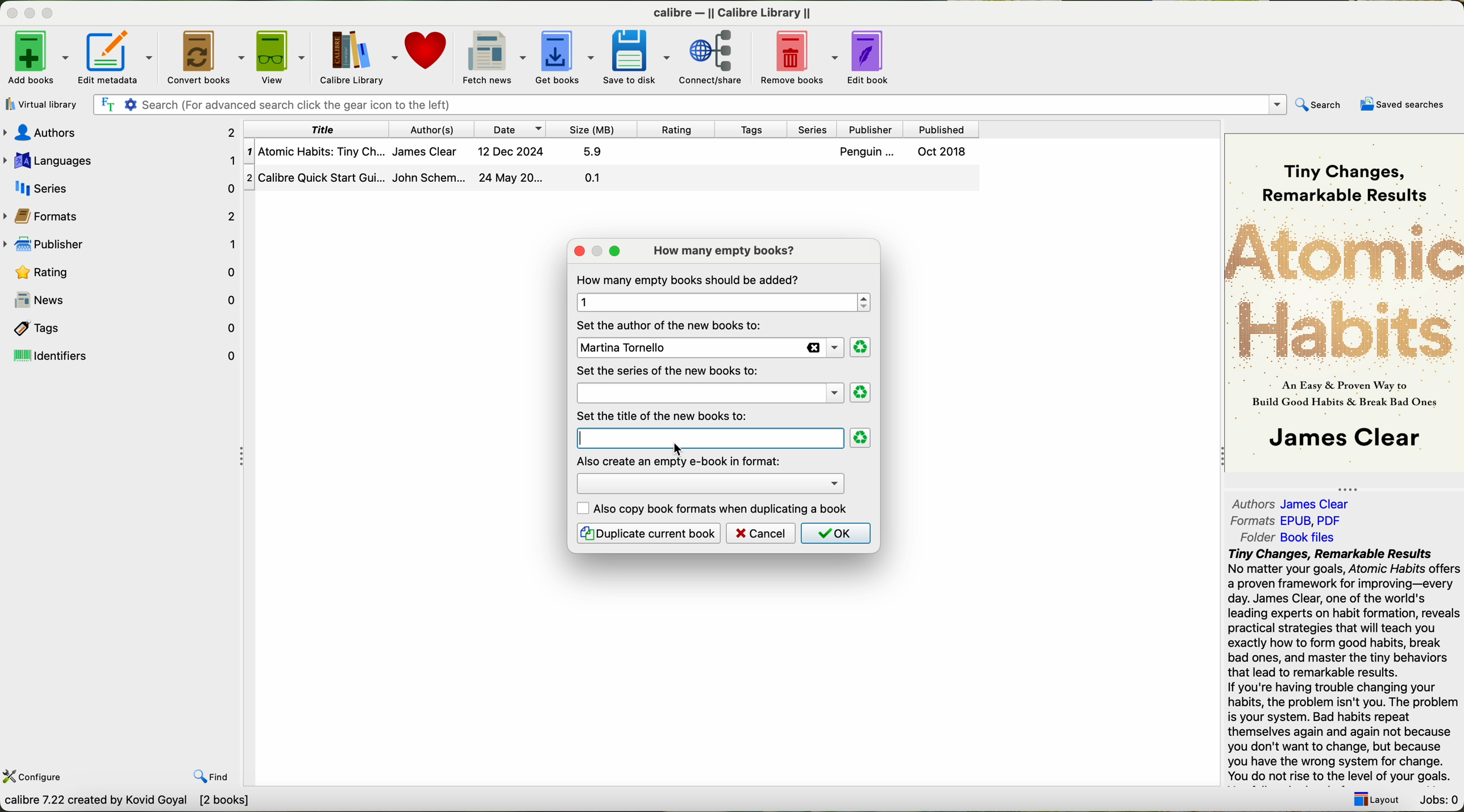 The height and width of the screenshot is (812, 1464). What do you see at coordinates (944, 128) in the screenshot?
I see `published` at bounding box center [944, 128].